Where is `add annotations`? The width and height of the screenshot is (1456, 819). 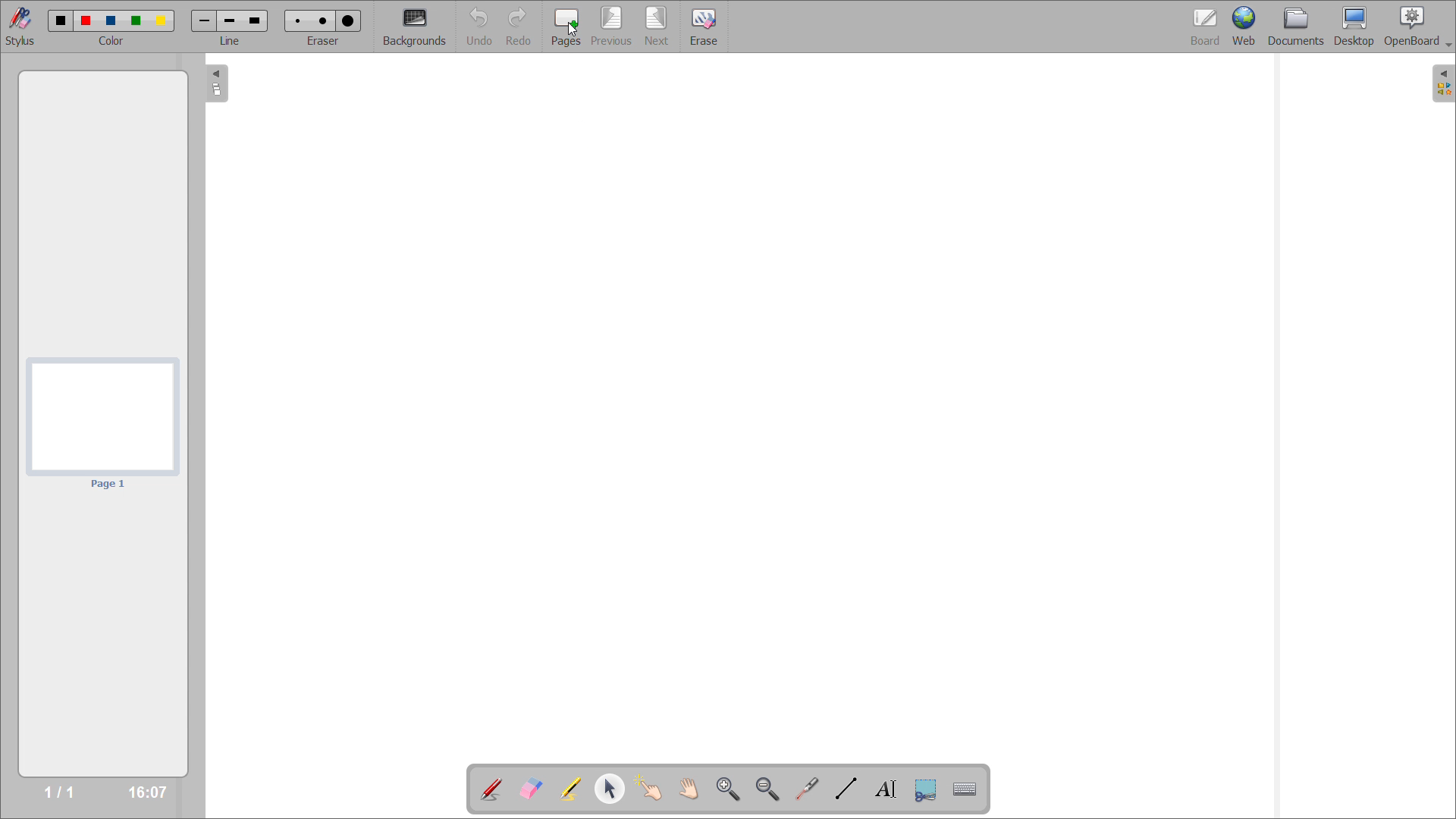 add annotations is located at coordinates (490, 789).